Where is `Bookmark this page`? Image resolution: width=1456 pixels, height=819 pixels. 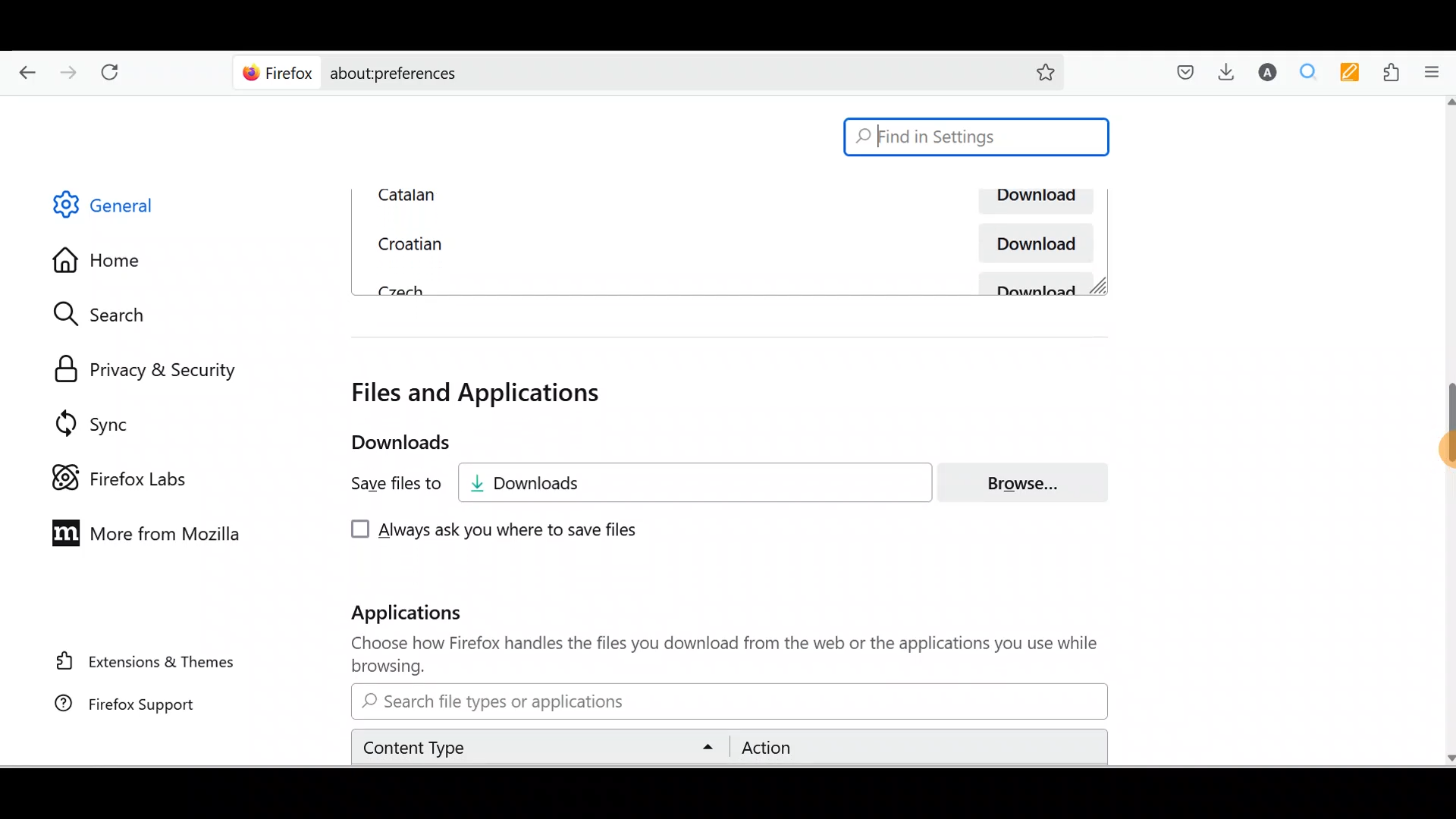 Bookmark this page is located at coordinates (1046, 71).